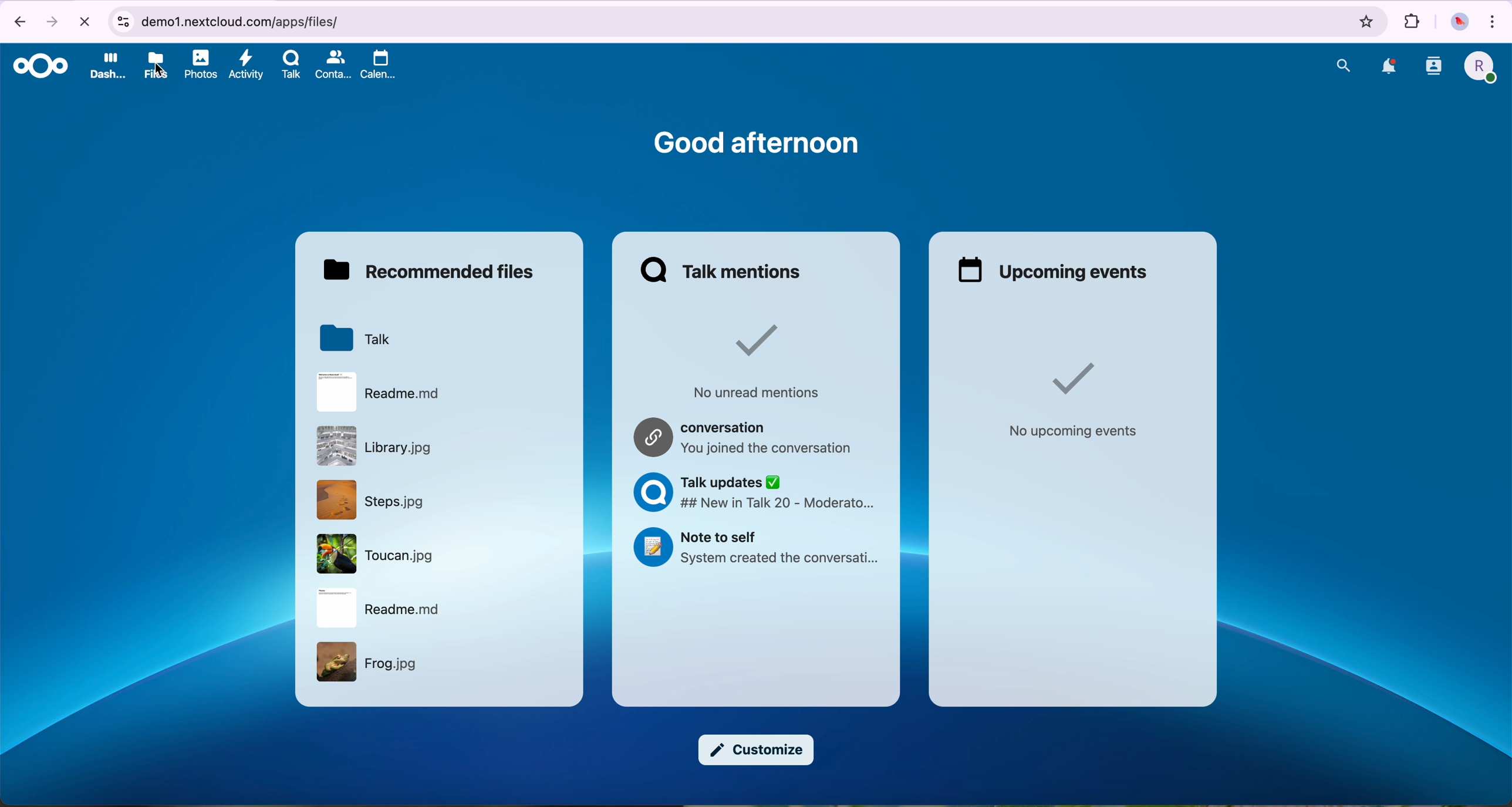 Image resolution: width=1512 pixels, height=807 pixels. I want to click on talk, so click(355, 337).